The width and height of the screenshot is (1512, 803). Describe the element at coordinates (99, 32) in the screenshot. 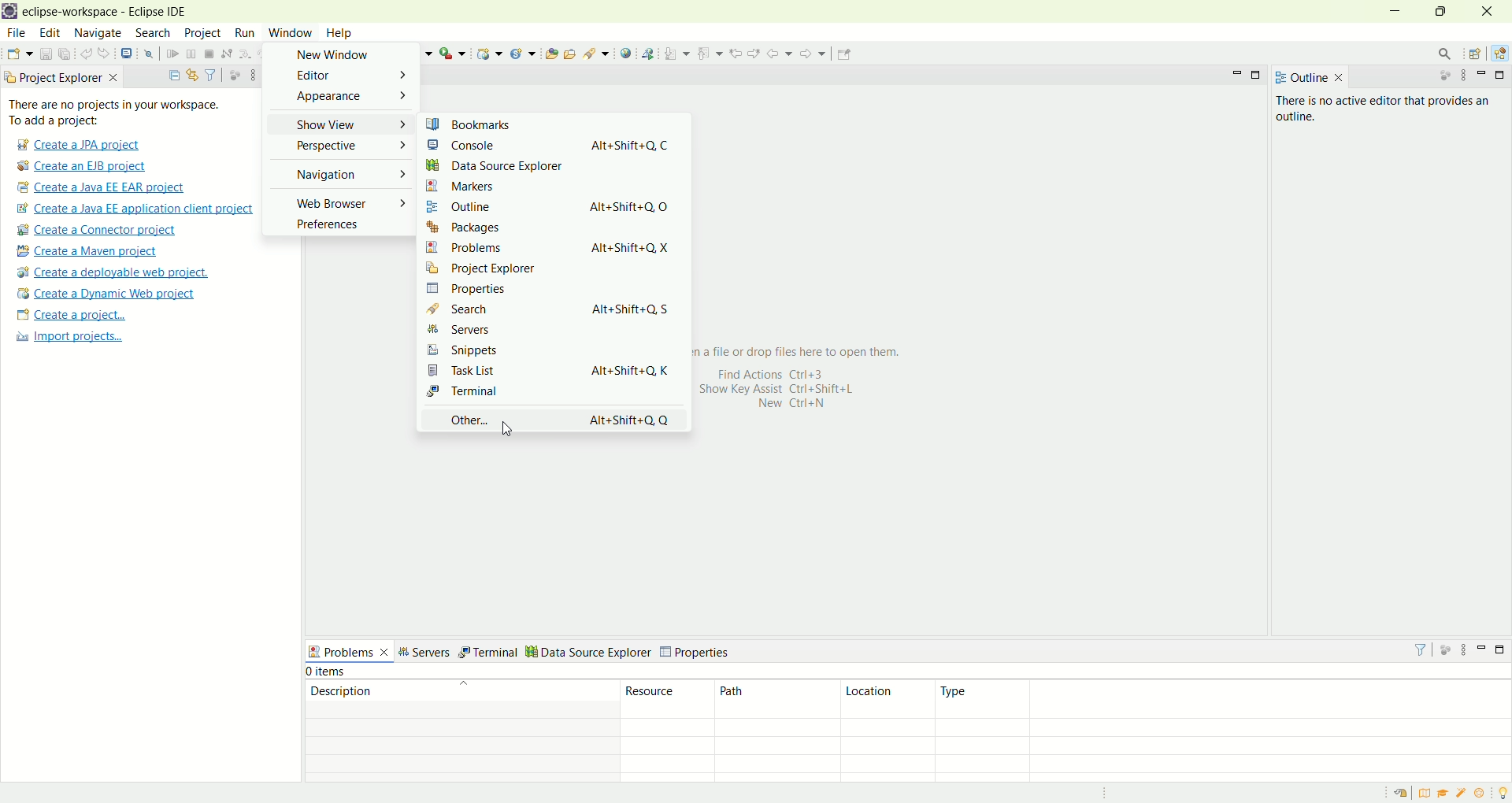

I see `navigate` at that location.